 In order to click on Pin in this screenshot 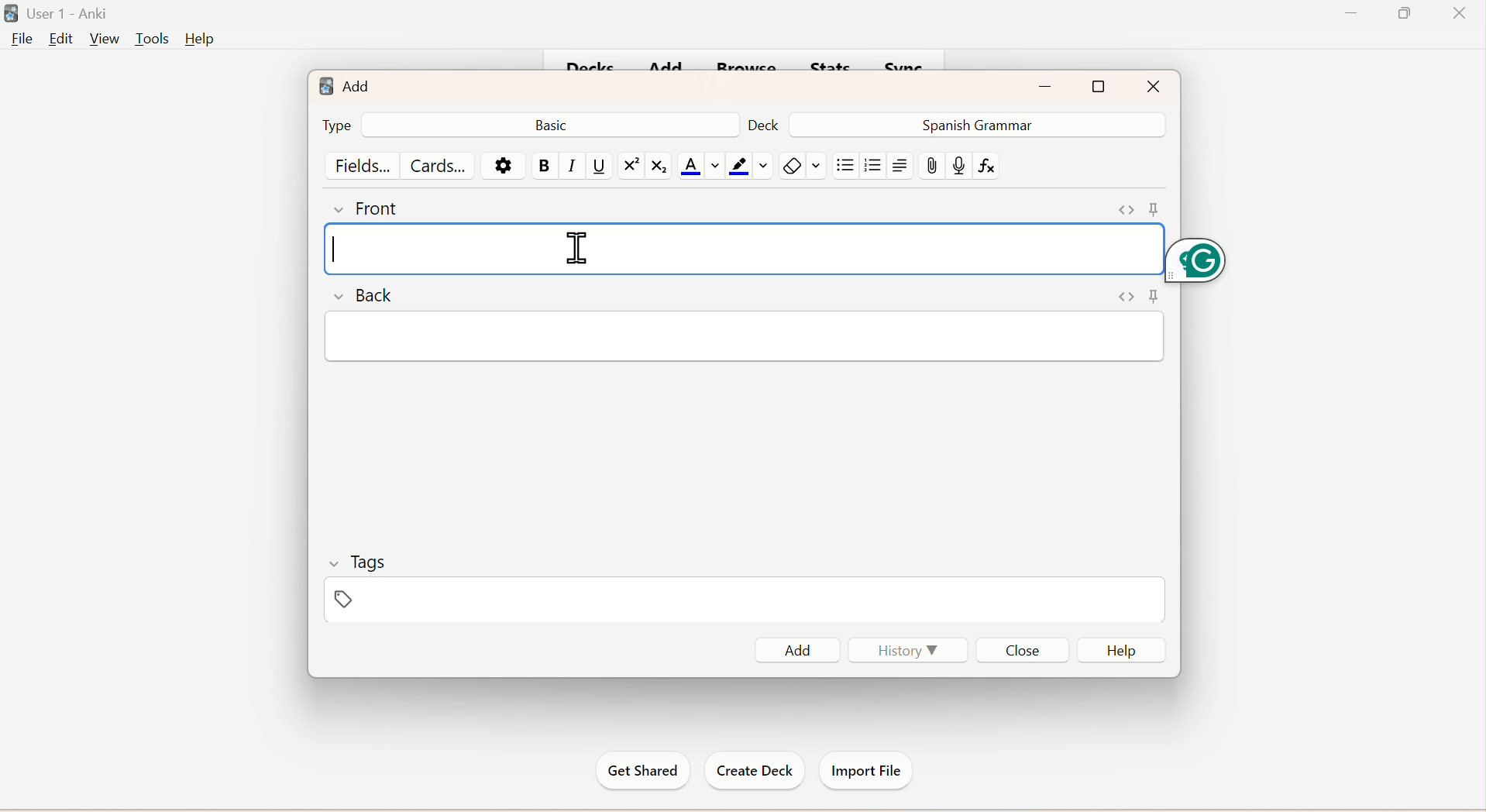, I will do `click(1132, 299)`.